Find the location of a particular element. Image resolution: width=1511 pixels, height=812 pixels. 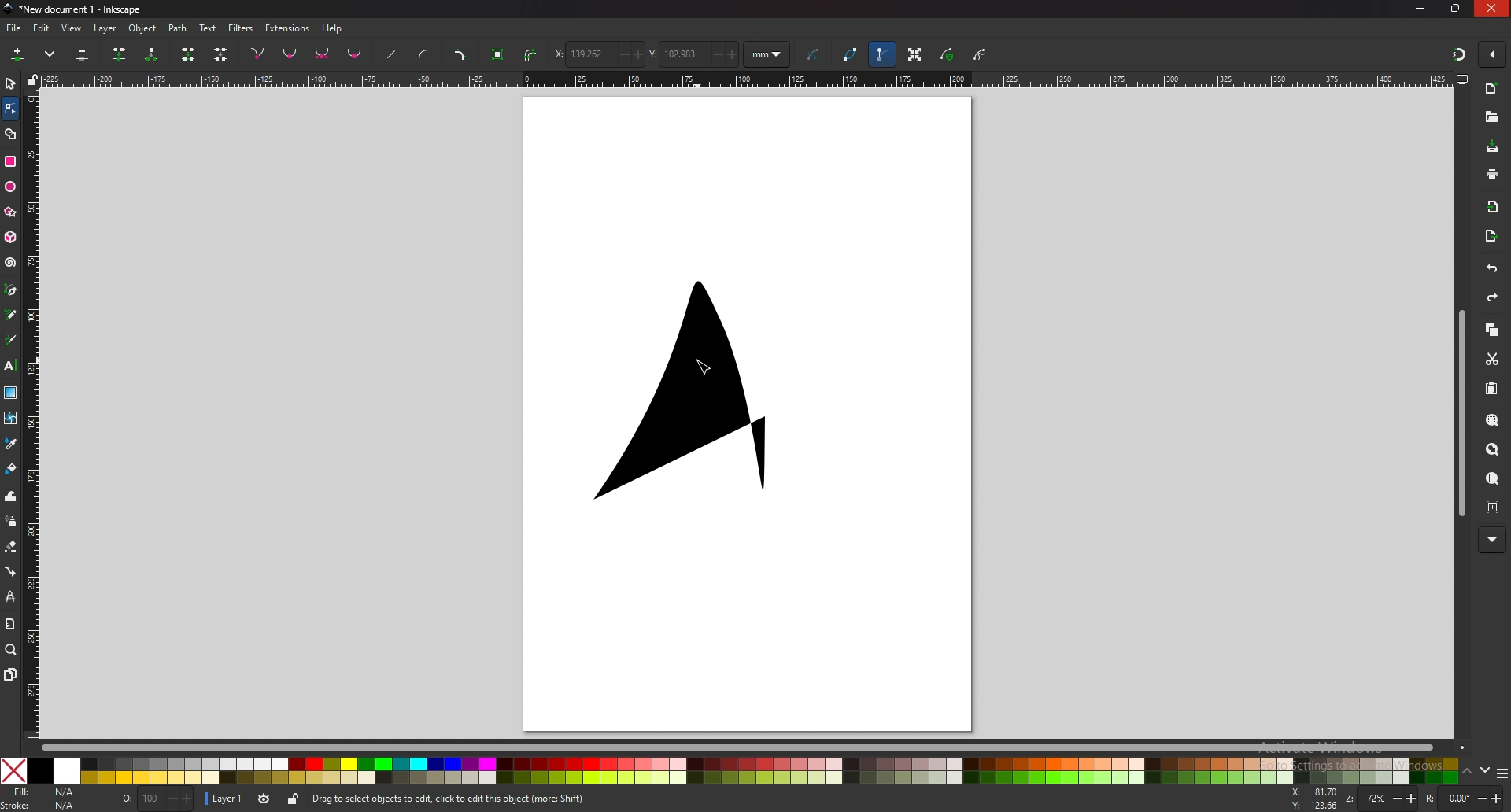

new is located at coordinates (1491, 88).